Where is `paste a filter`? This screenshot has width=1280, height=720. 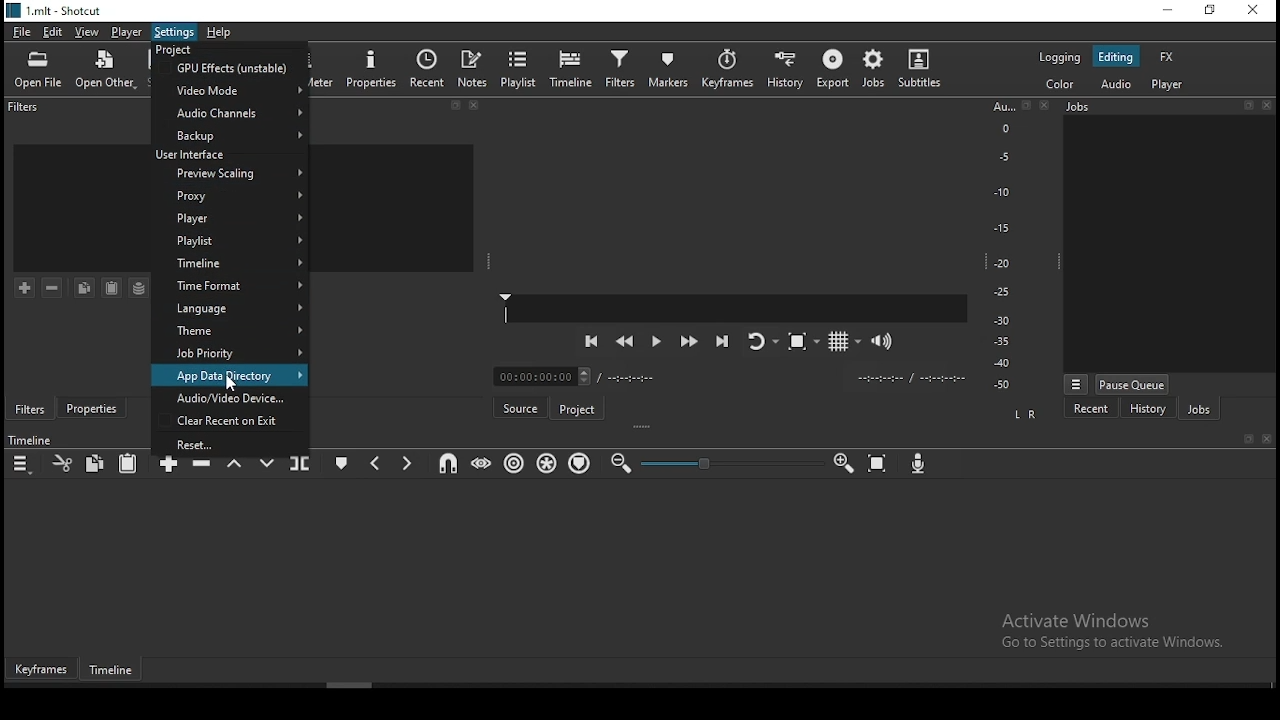
paste a filter is located at coordinates (113, 287).